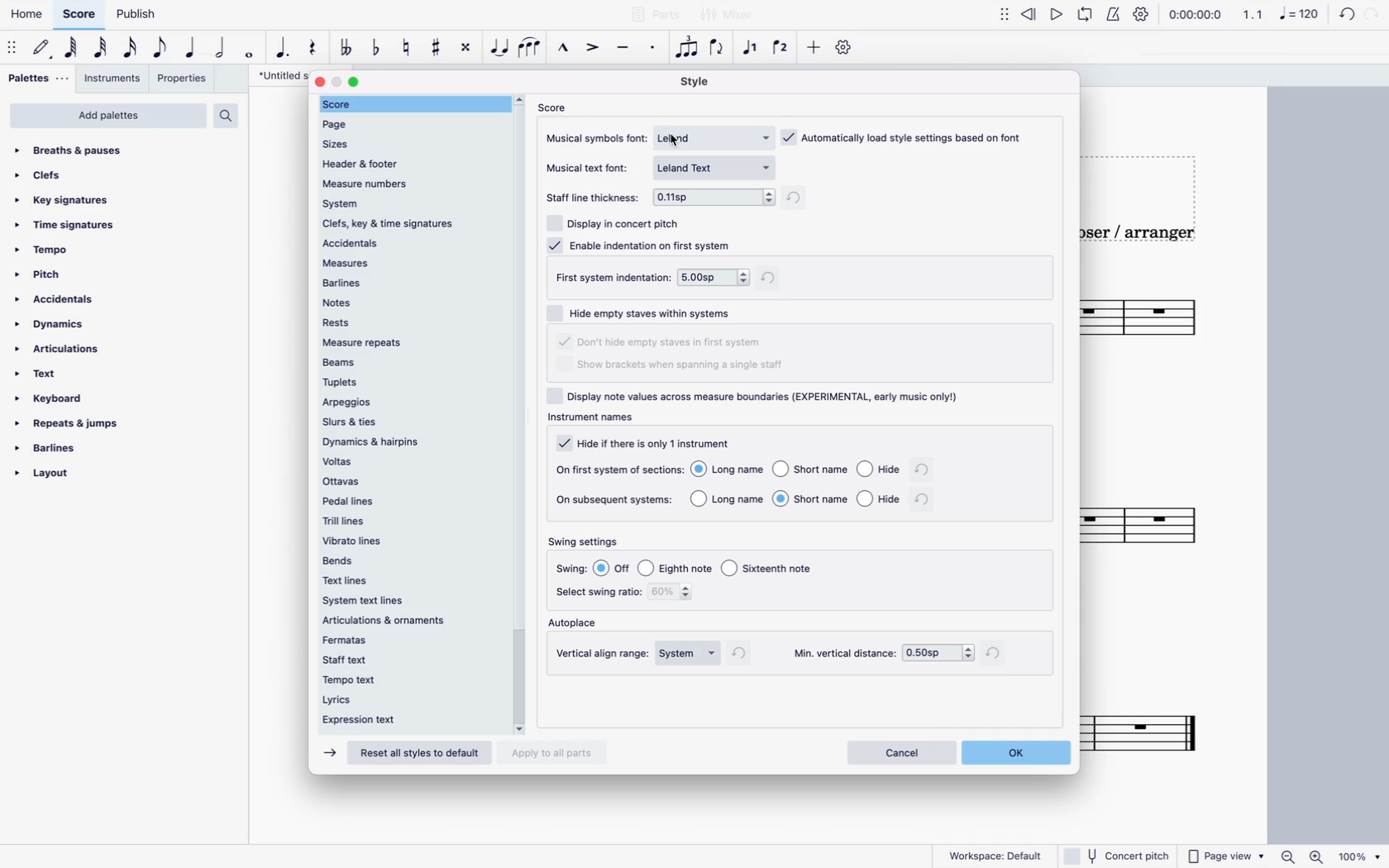 This screenshot has width=1389, height=868. What do you see at coordinates (1162, 319) in the screenshot?
I see `score` at bounding box center [1162, 319].